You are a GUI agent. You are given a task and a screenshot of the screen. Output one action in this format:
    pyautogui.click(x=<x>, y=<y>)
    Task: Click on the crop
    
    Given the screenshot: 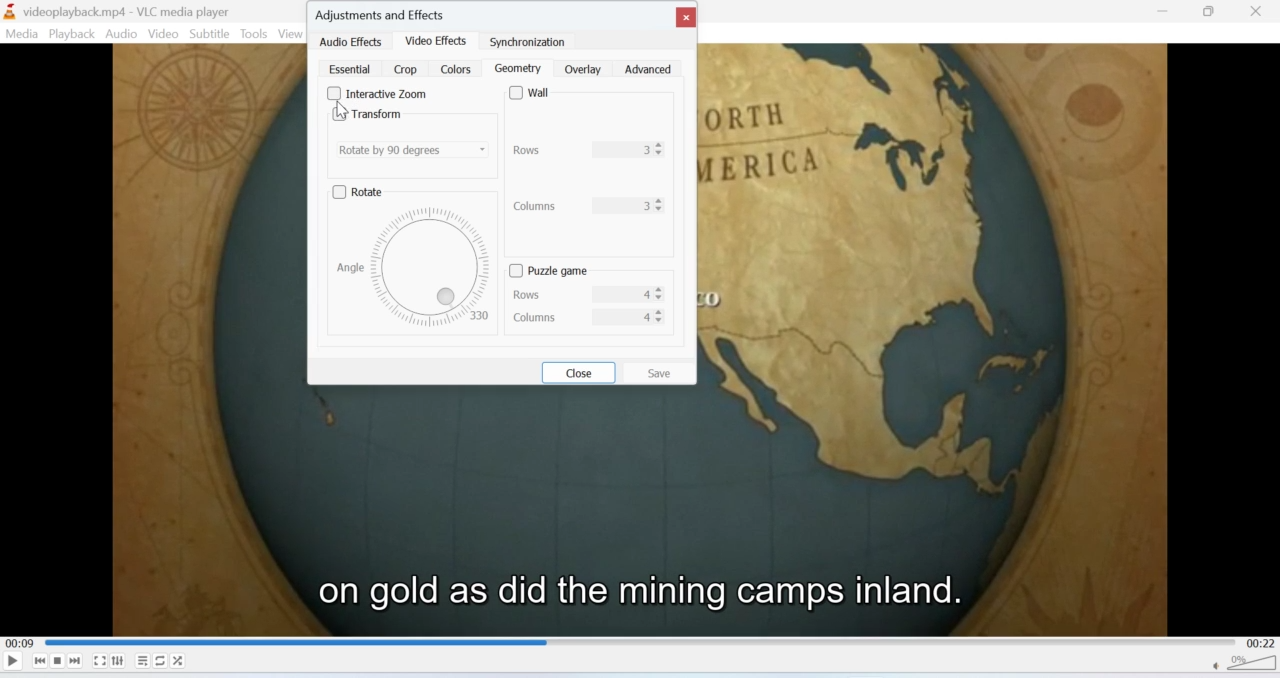 What is the action you would take?
    pyautogui.click(x=404, y=69)
    